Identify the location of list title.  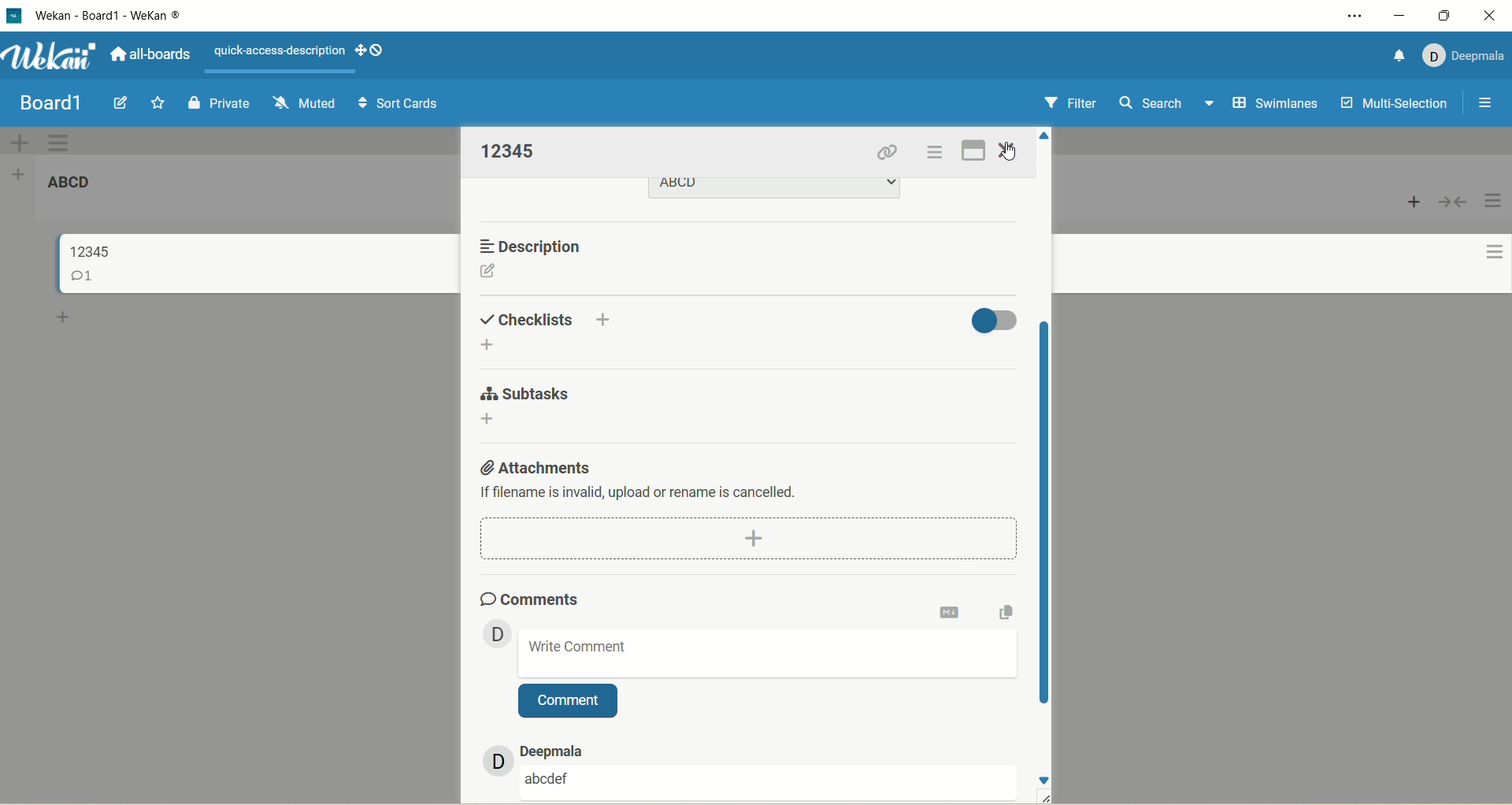
(77, 187).